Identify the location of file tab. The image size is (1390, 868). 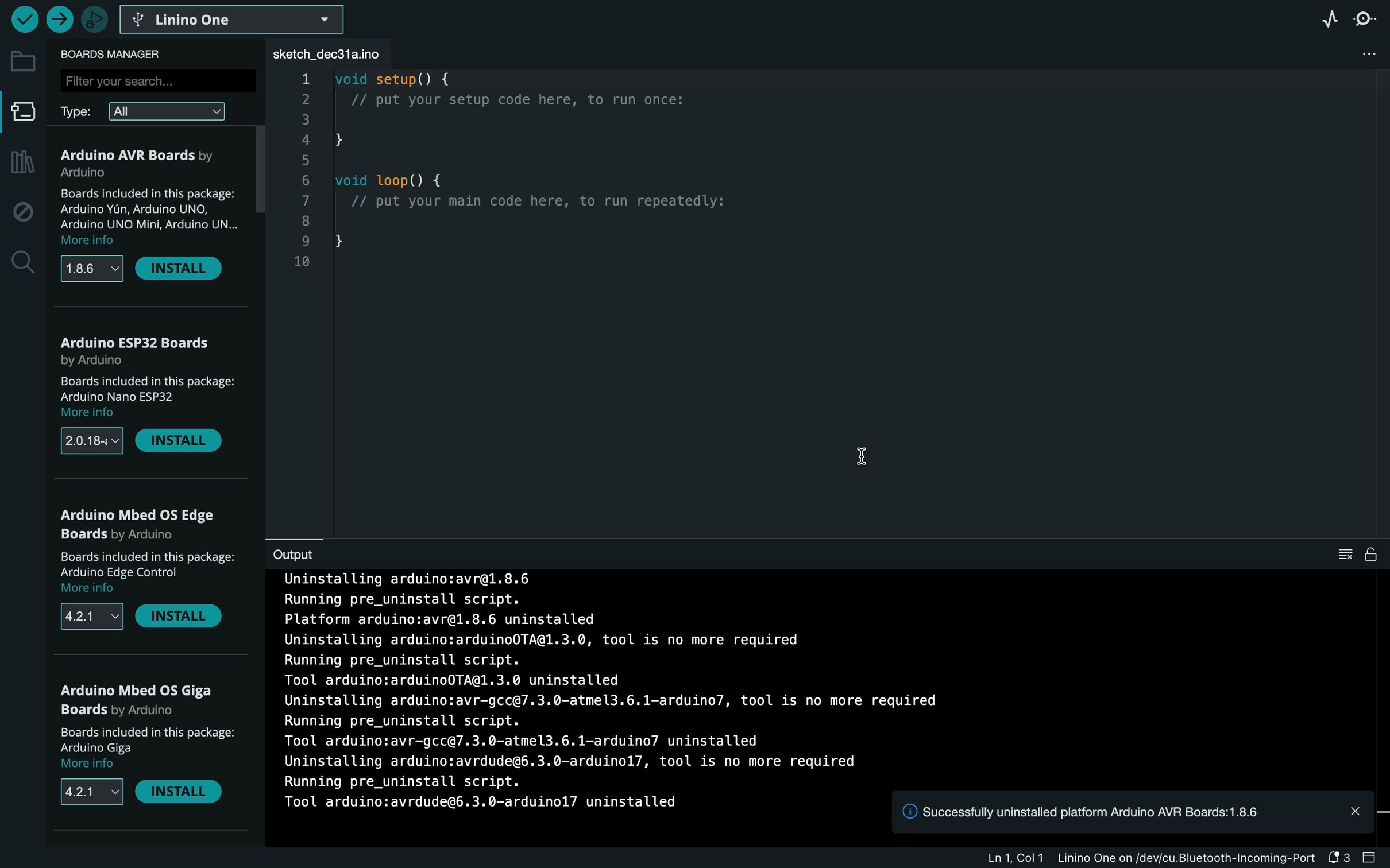
(362, 53).